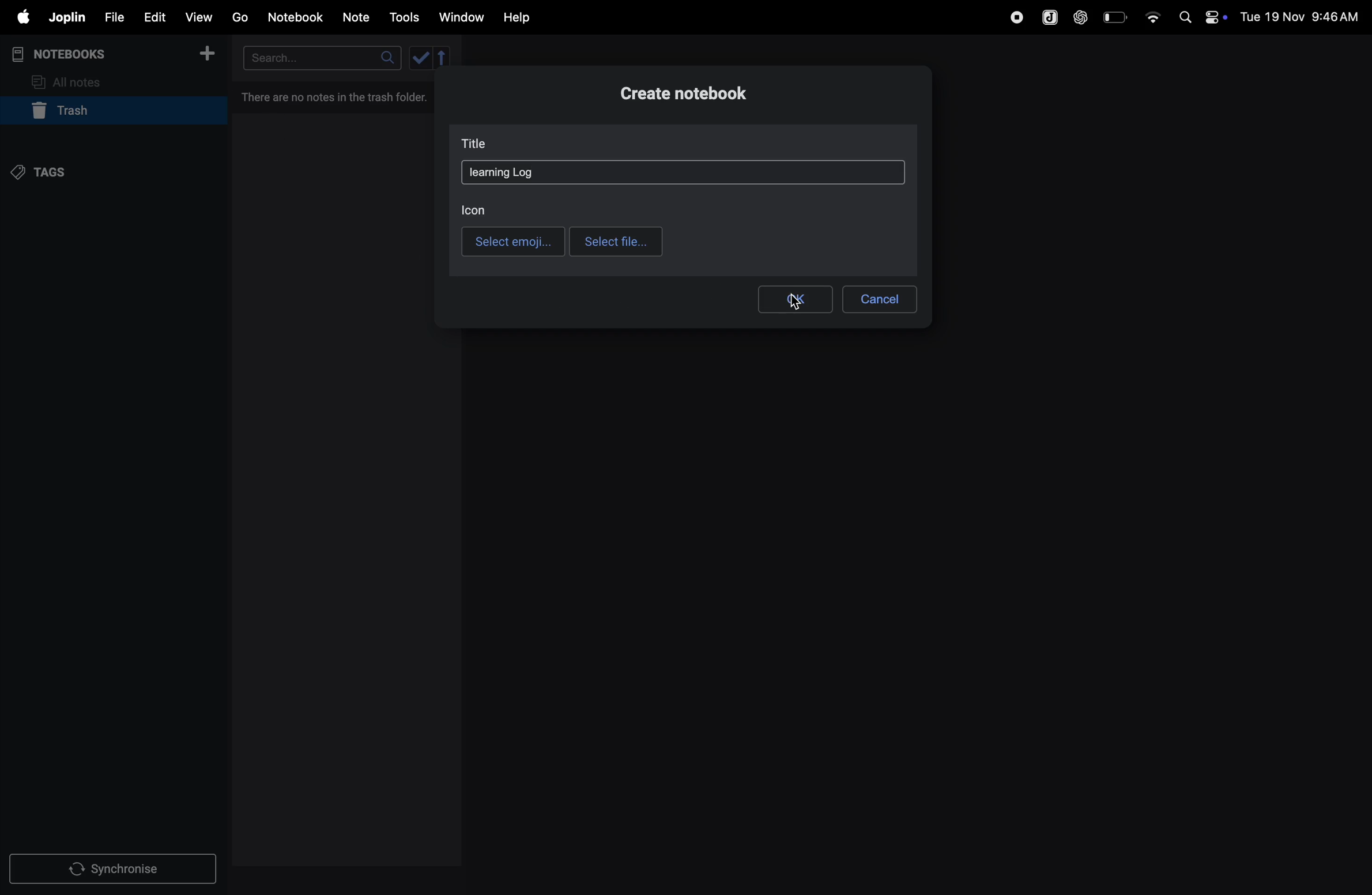  Describe the element at coordinates (73, 81) in the screenshot. I see `all notes` at that location.